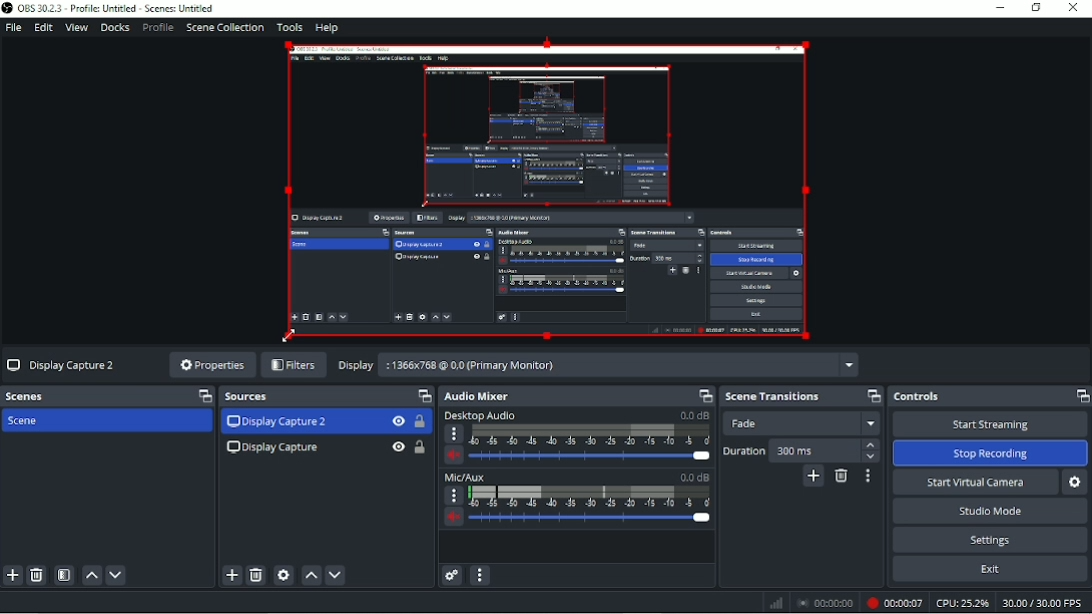 This screenshot has width=1092, height=614. I want to click on Properties, so click(208, 365).